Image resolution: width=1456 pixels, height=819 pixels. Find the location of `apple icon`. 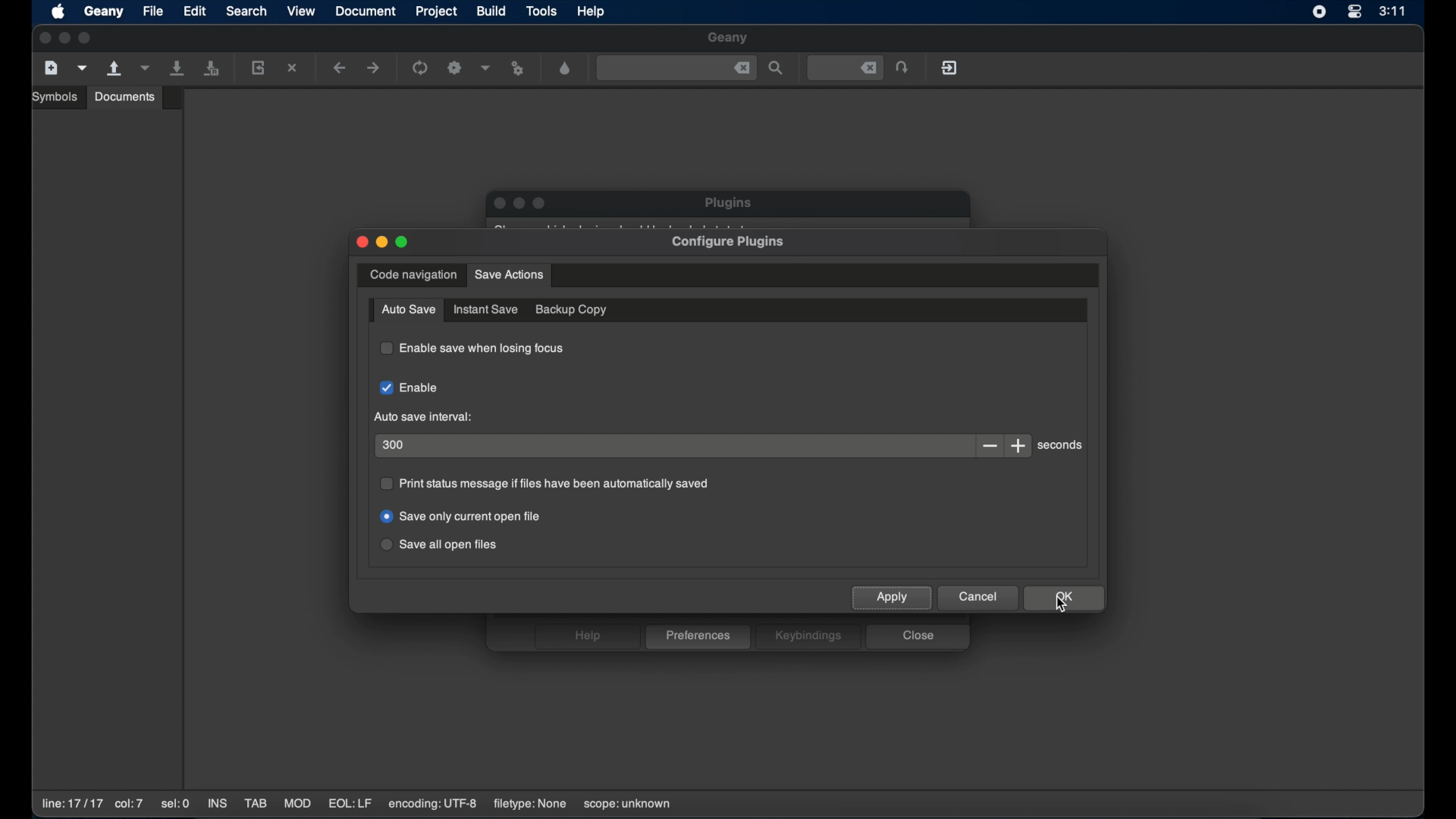

apple icon is located at coordinates (60, 13).